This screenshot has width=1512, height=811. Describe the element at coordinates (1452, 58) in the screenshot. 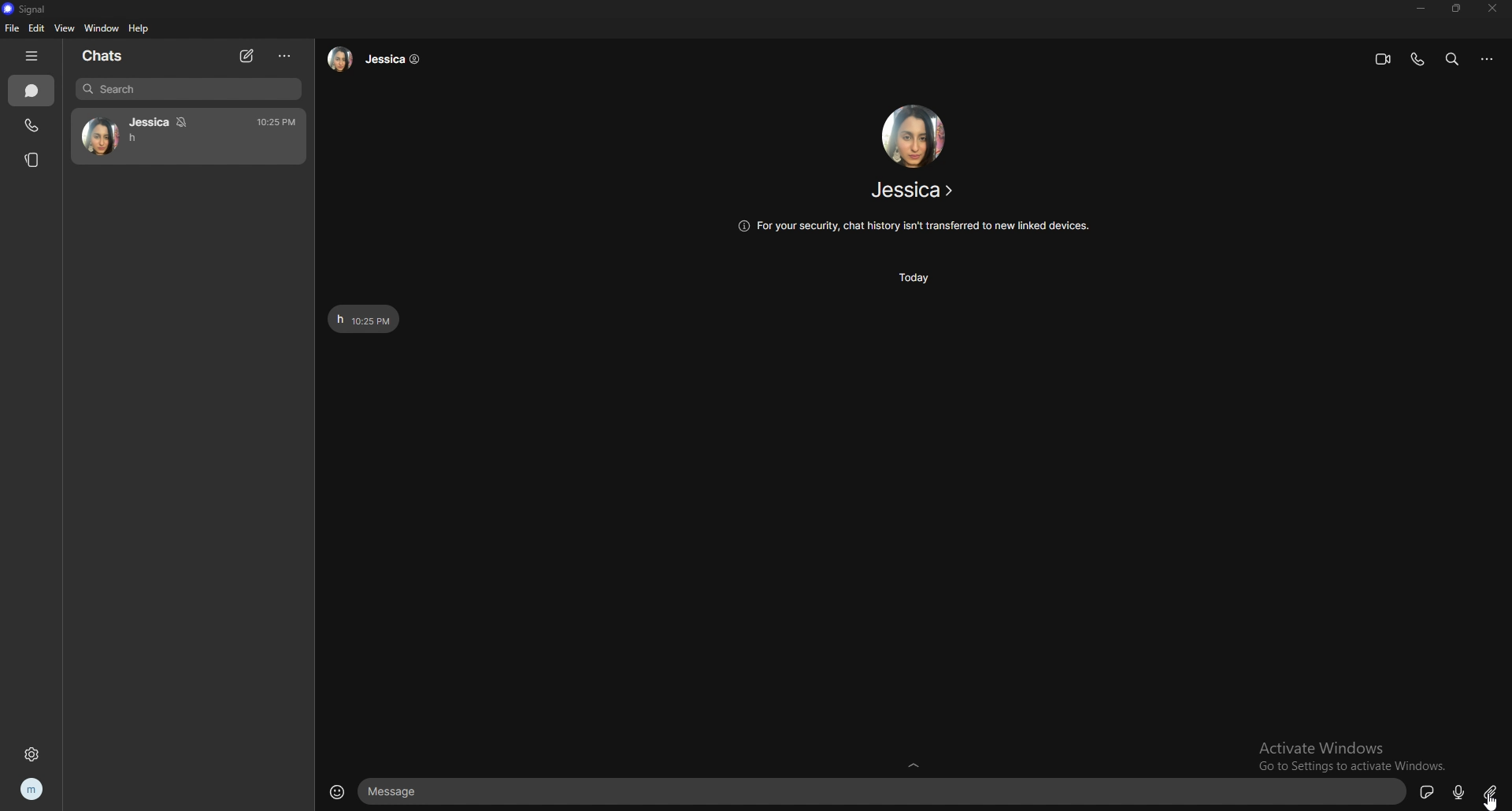

I see `search messages` at that location.